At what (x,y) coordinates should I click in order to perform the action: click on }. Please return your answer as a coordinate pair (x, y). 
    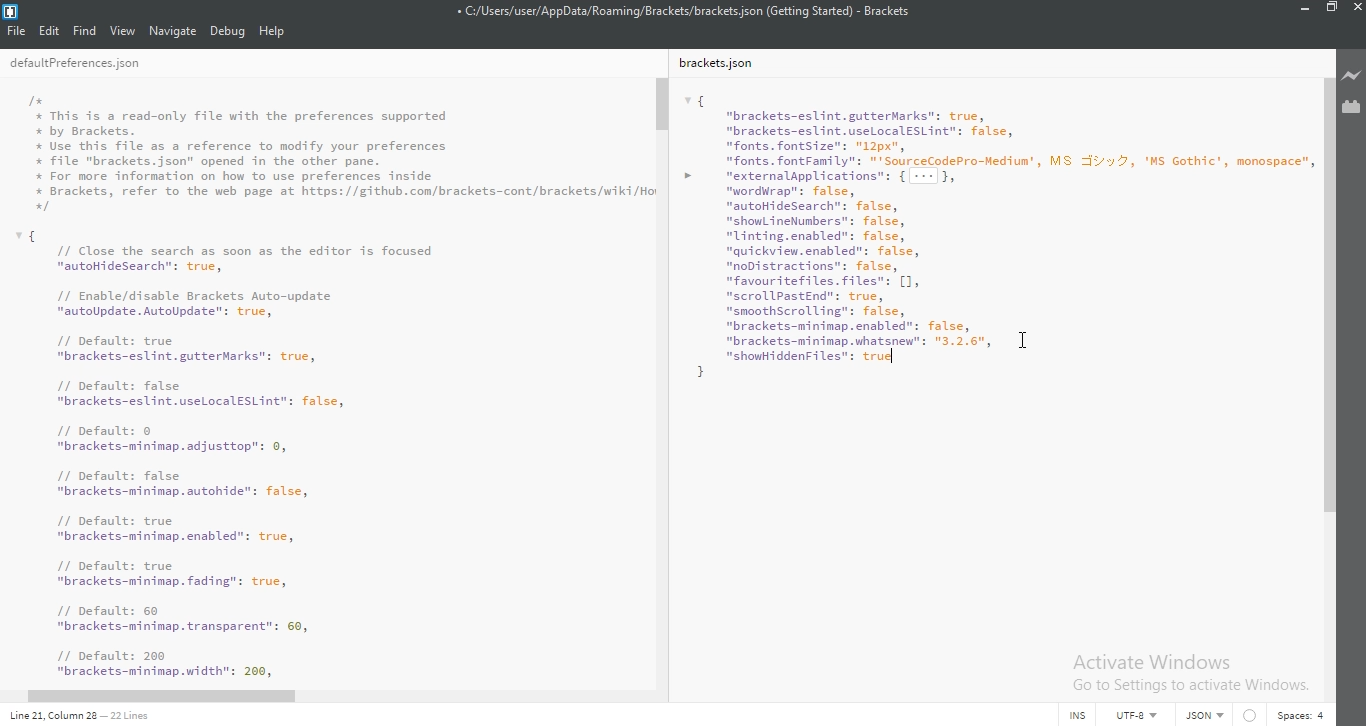
    Looking at the image, I should click on (698, 374).